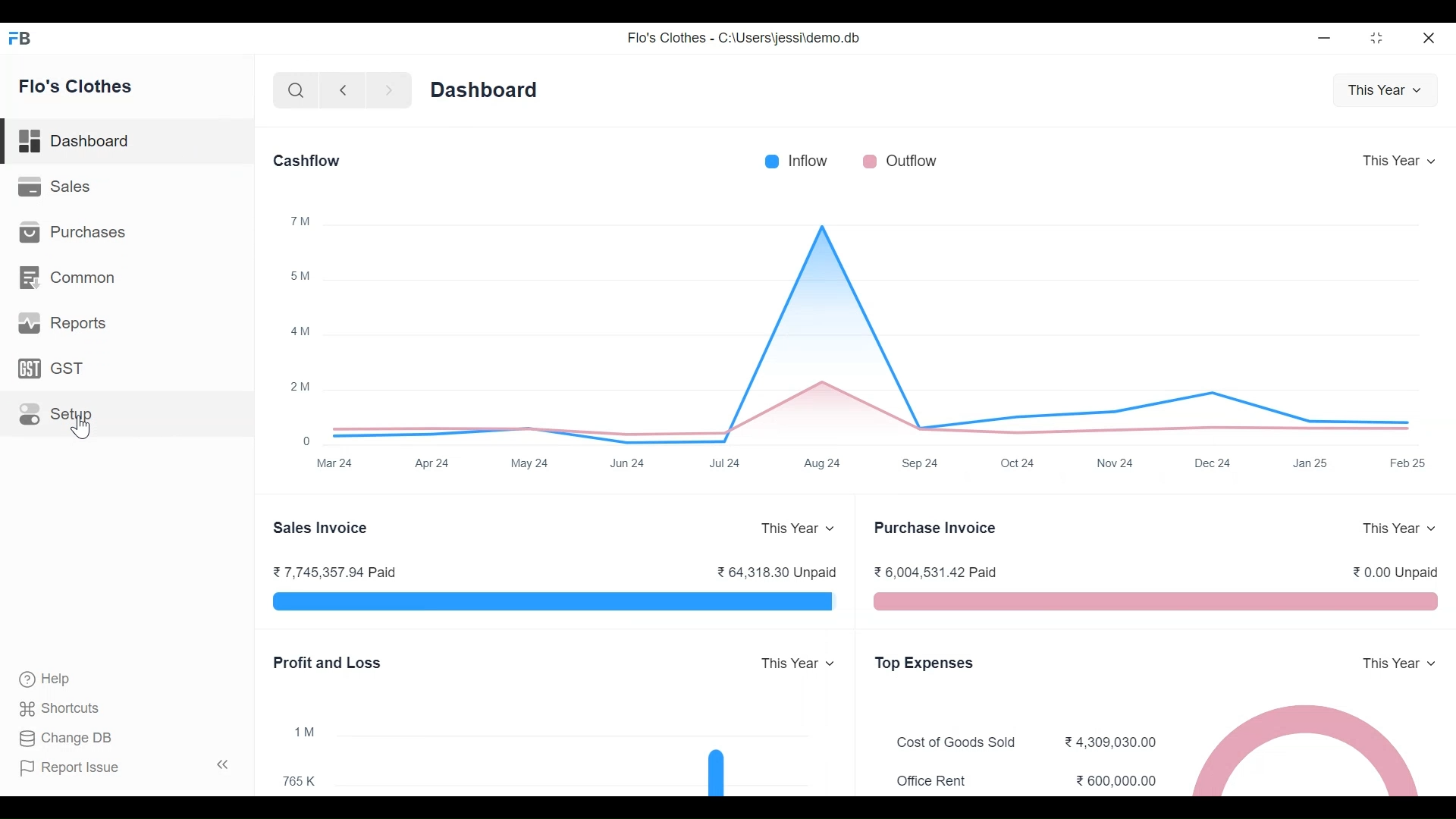 This screenshot has width=1456, height=819. Describe the element at coordinates (554, 601) in the screenshot. I see `progress bar` at that location.